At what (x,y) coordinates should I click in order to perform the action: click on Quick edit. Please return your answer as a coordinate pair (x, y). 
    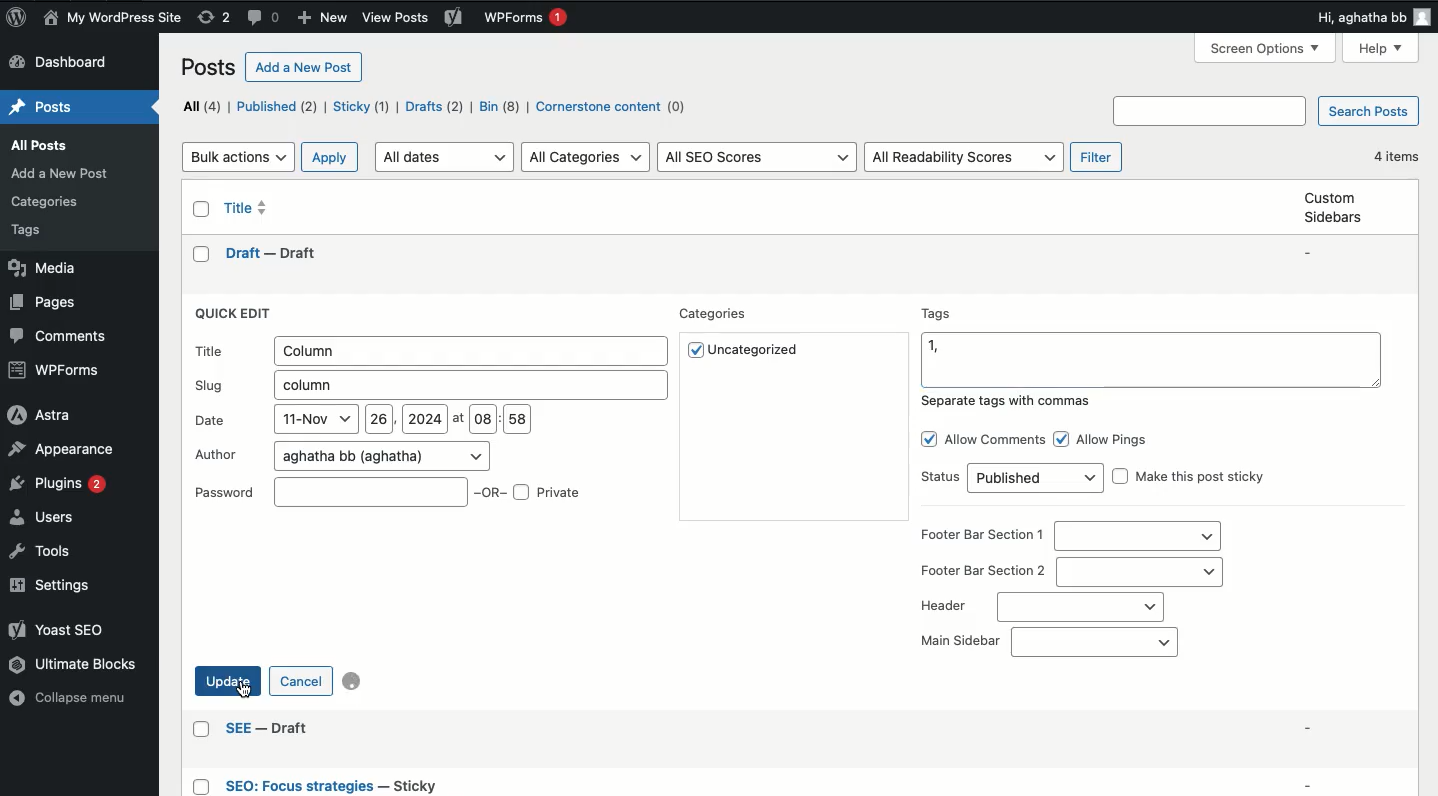
    Looking at the image, I should click on (236, 313).